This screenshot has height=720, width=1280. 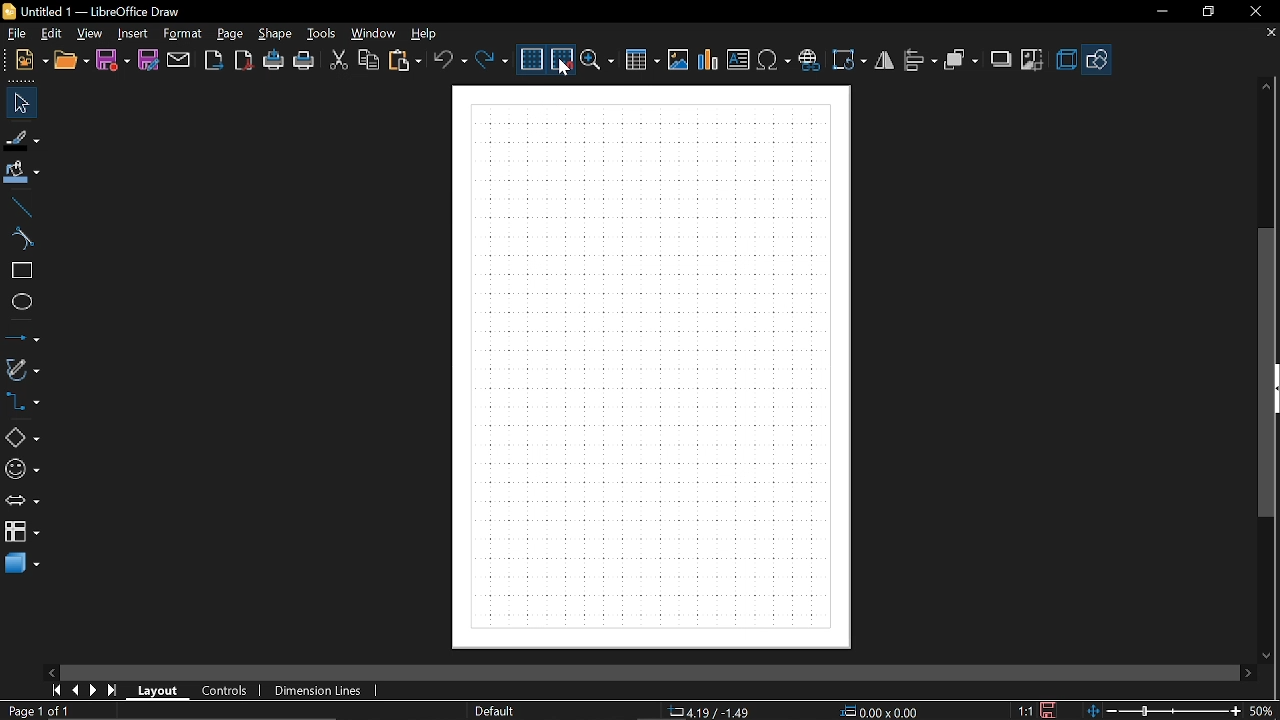 I want to click on crop, so click(x=1036, y=61).